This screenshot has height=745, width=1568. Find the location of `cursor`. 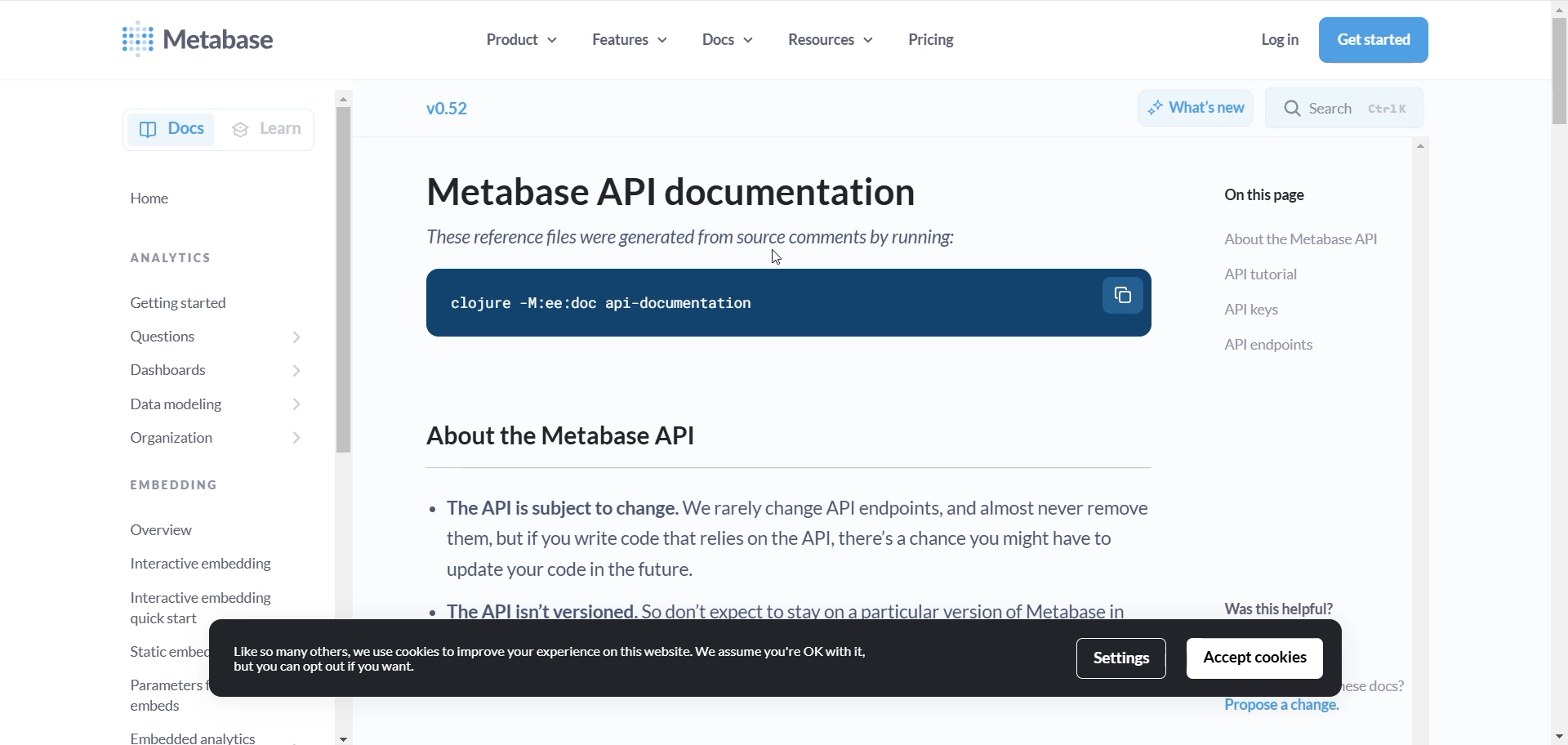

cursor is located at coordinates (777, 256).